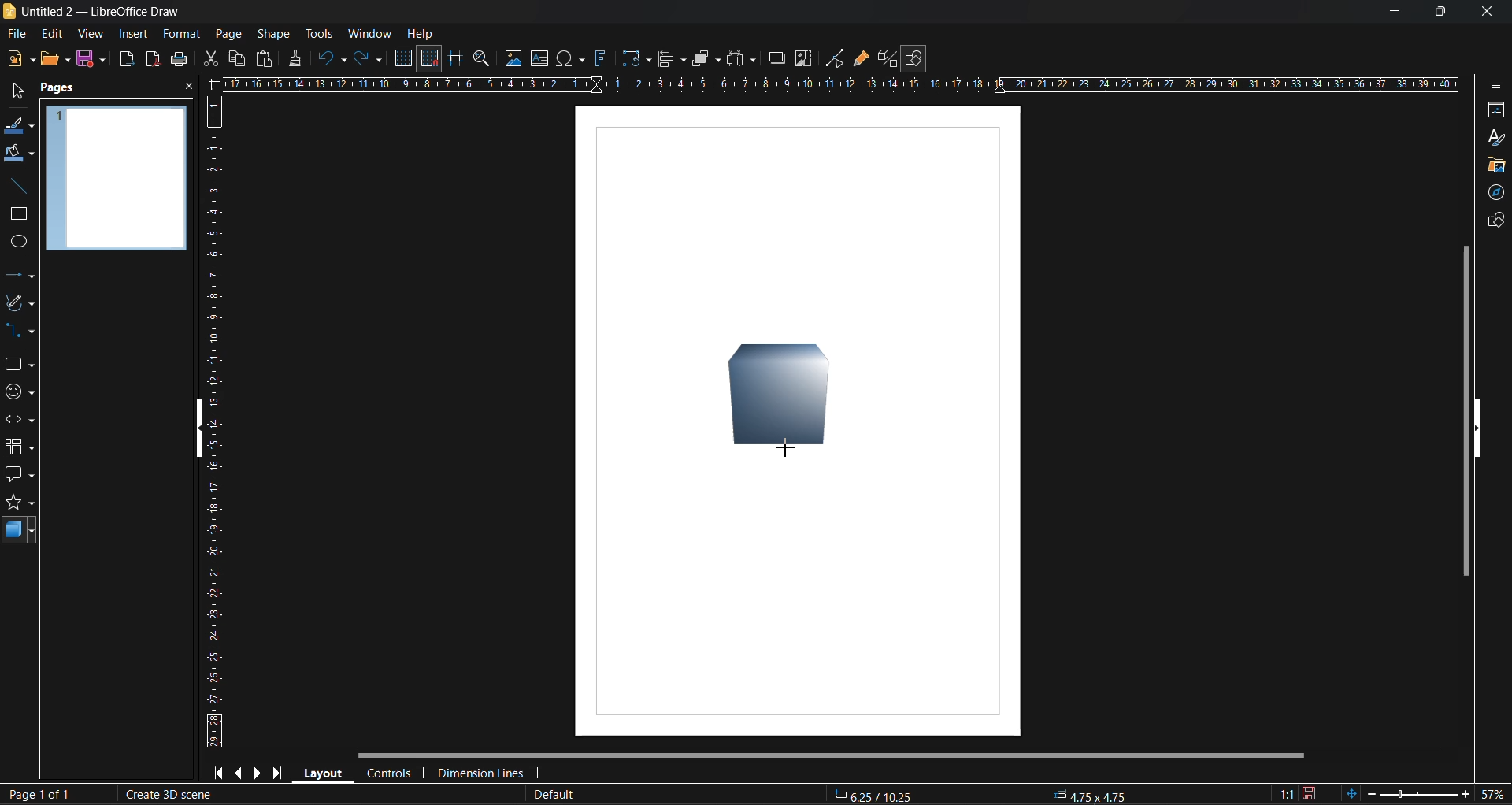 This screenshot has height=805, width=1512. Describe the element at coordinates (1496, 165) in the screenshot. I see `gallery` at that location.